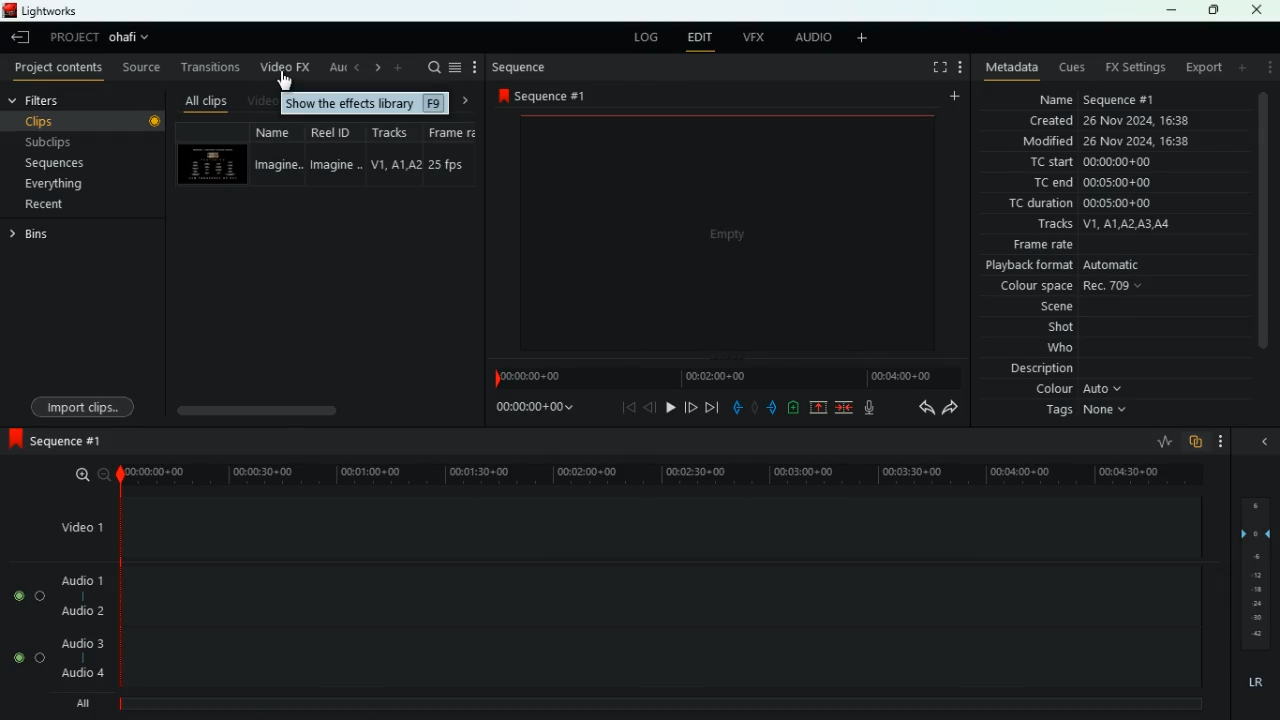 This screenshot has height=720, width=1280. What do you see at coordinates (50, 205) in the screenshot?
I see `recent` at bounding box center [50, 205].